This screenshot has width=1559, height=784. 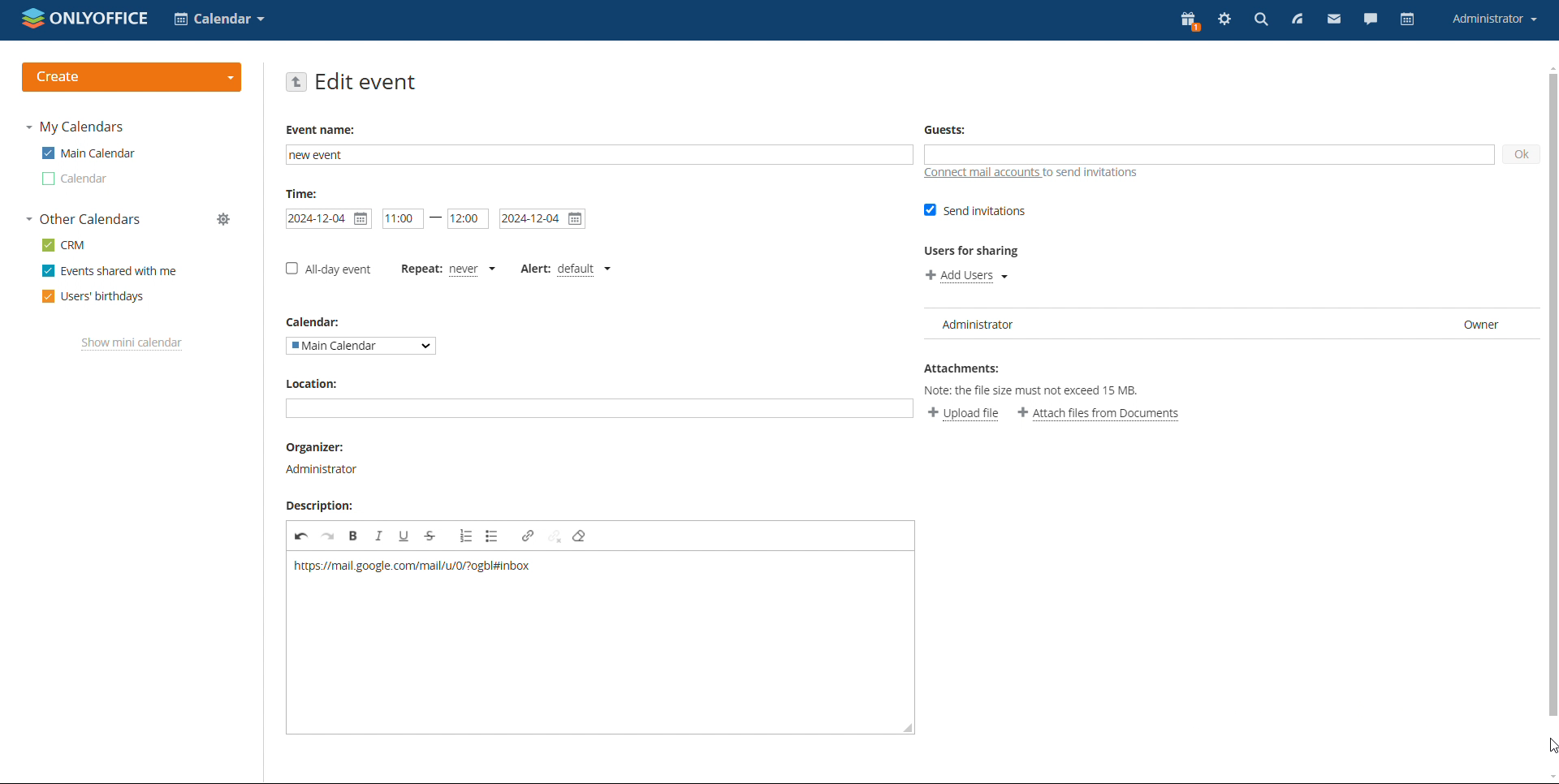 I want to click on redo, so click(x=328, y=536).